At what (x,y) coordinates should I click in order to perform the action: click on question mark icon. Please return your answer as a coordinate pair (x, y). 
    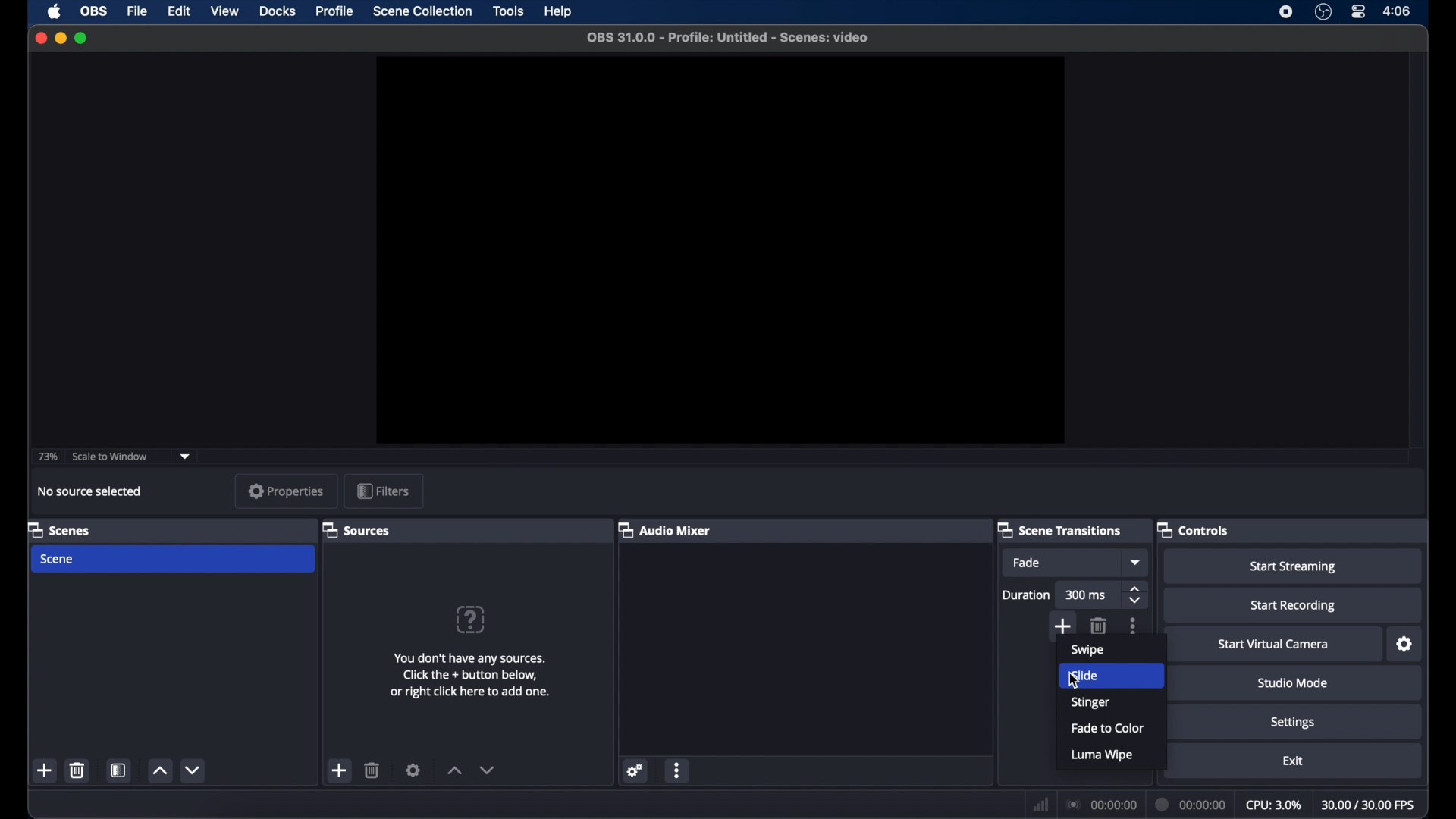
    Looking at the image, I should click on (472, 620).